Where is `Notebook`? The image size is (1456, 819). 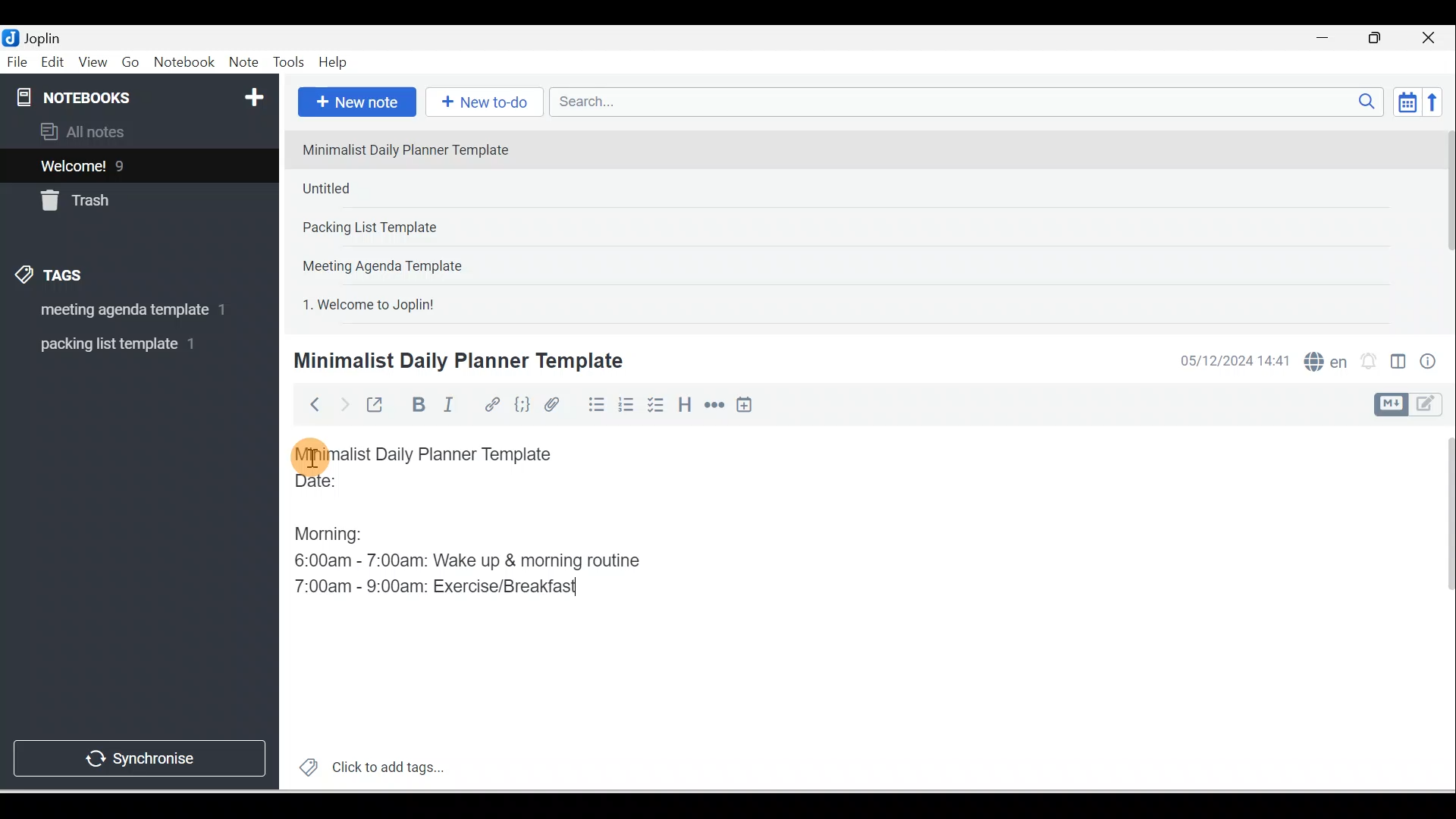 Notebook is located at coordinates (184, 63).